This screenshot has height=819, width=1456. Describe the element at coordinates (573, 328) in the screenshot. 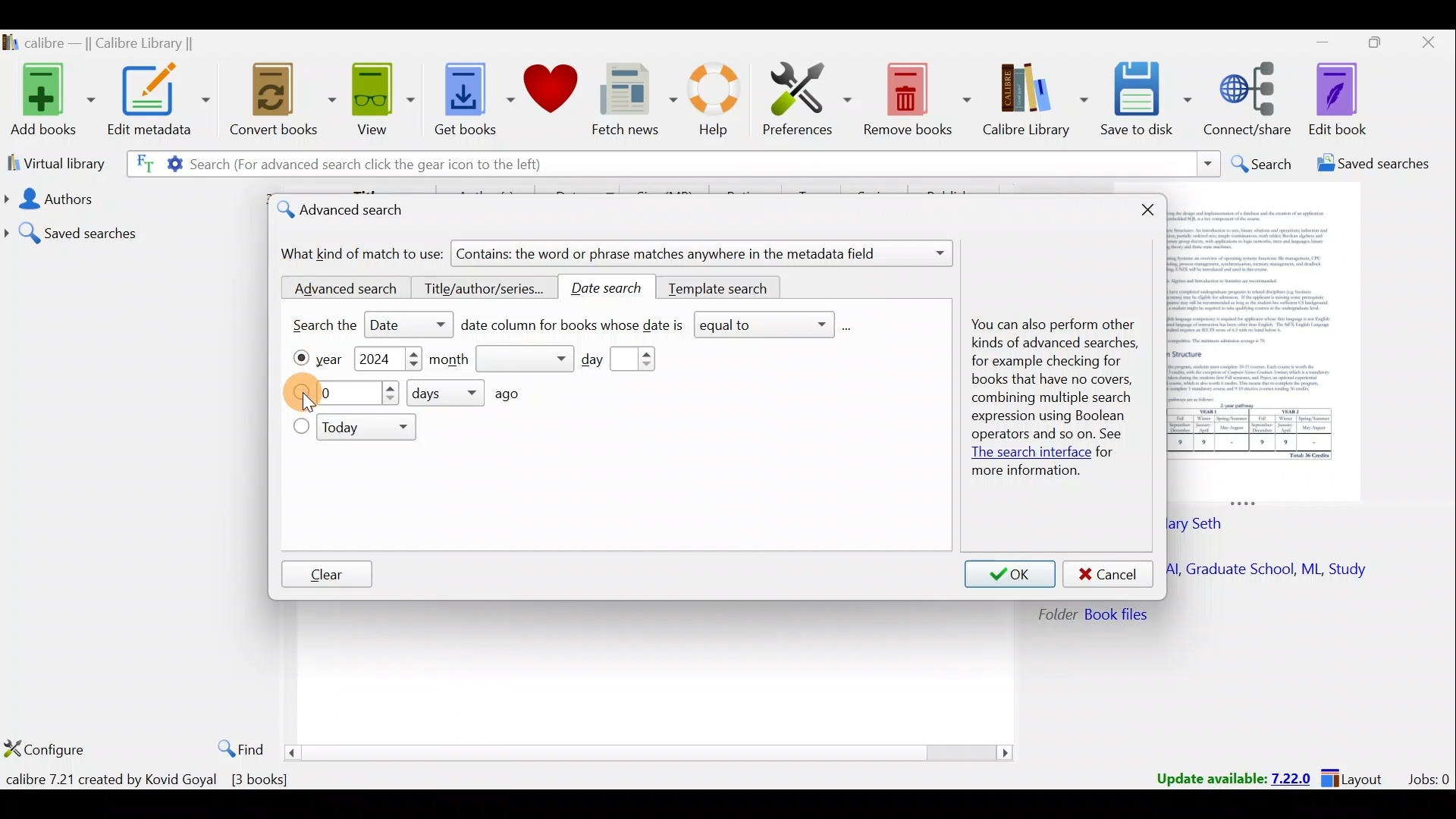

I see `Date column for books whose date is` at that location.